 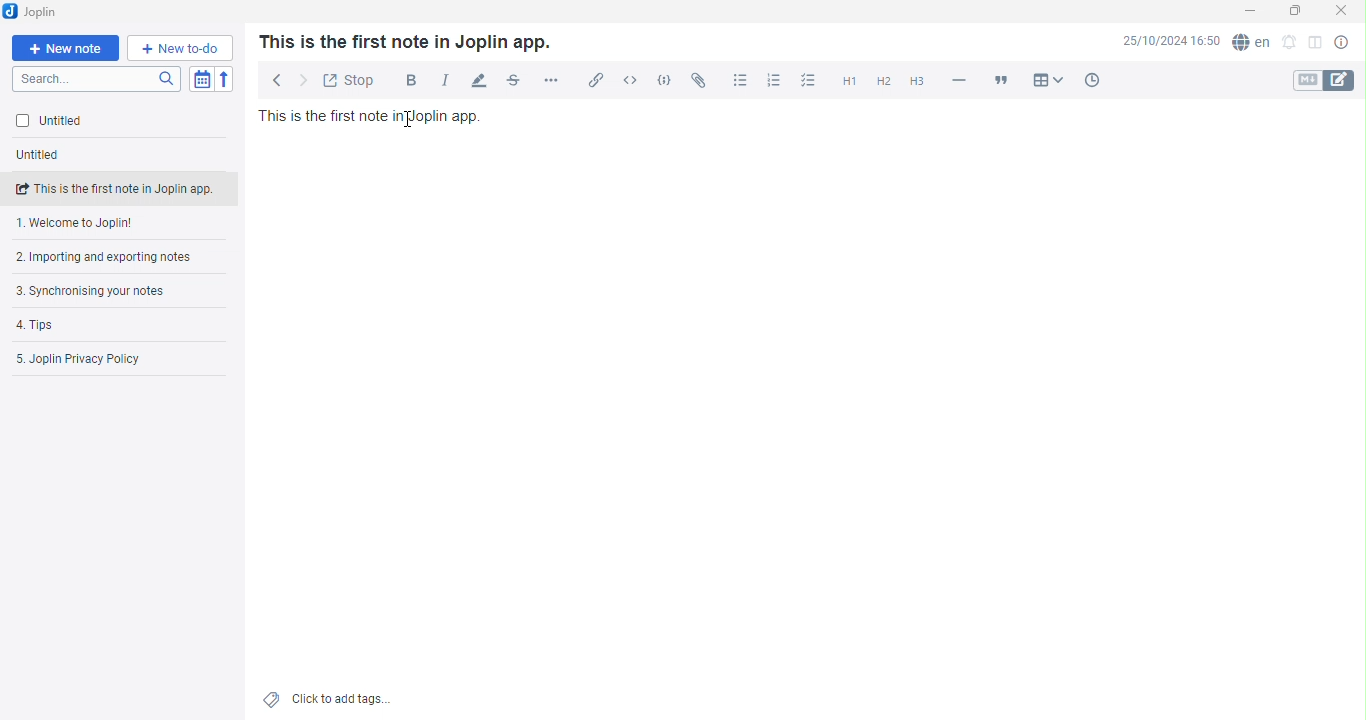 I want to click on Date and Time, so click(x=1170, y=44).